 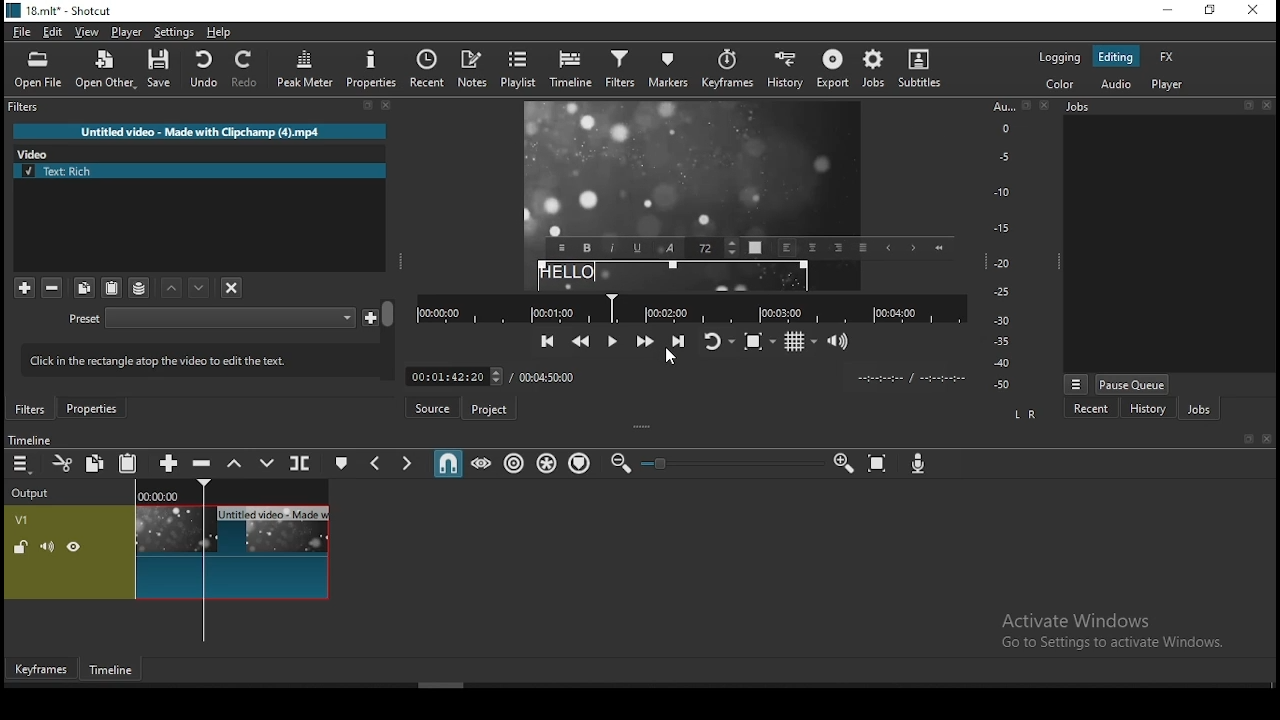 What do you see at coordinates (799, 342) in the screenshot?
I see `toggle grids display` at bounding box center [799, 342].